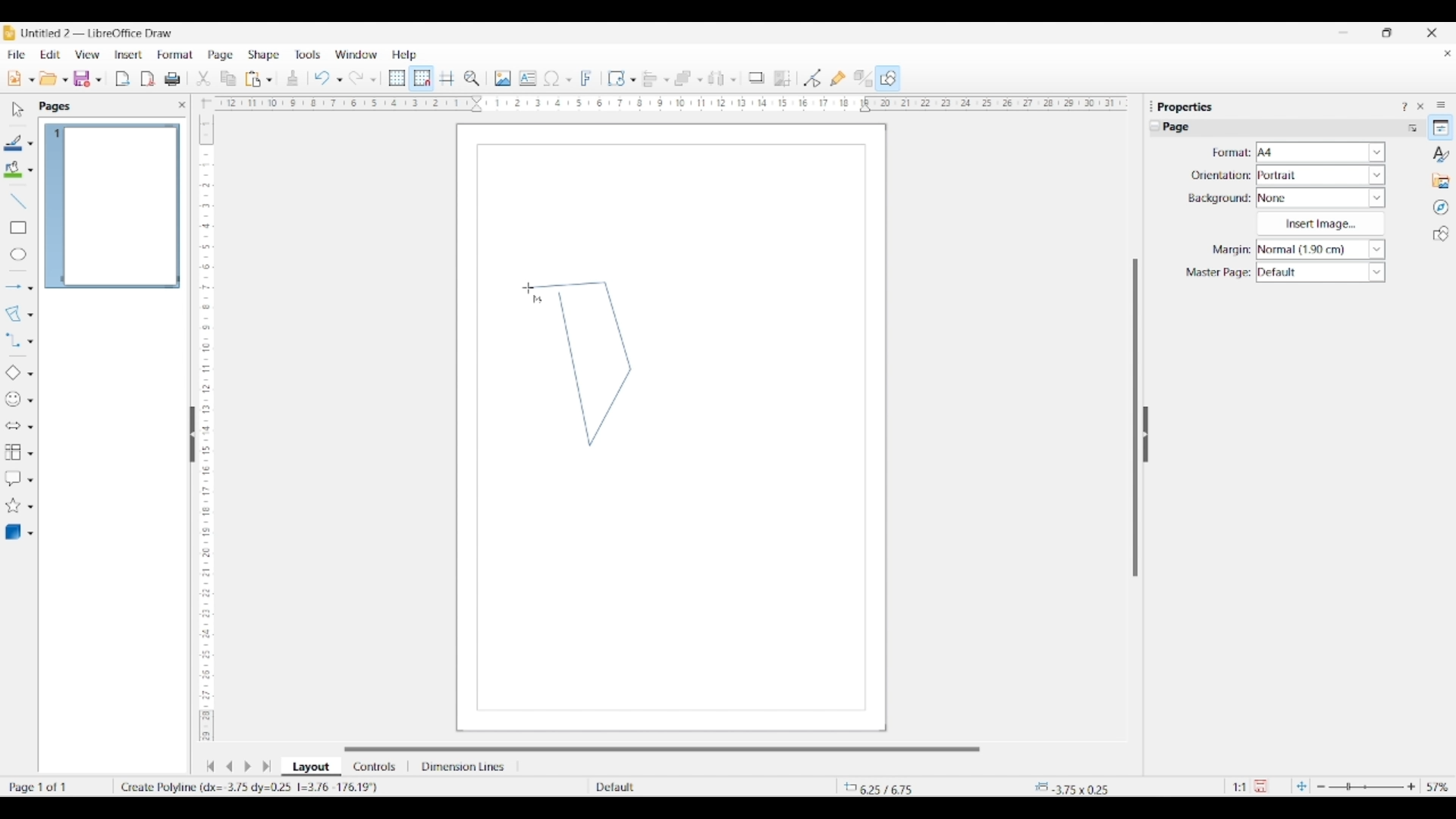 This screenshot has width=1456, height=819. I want to click on Print, so click(172, 79).